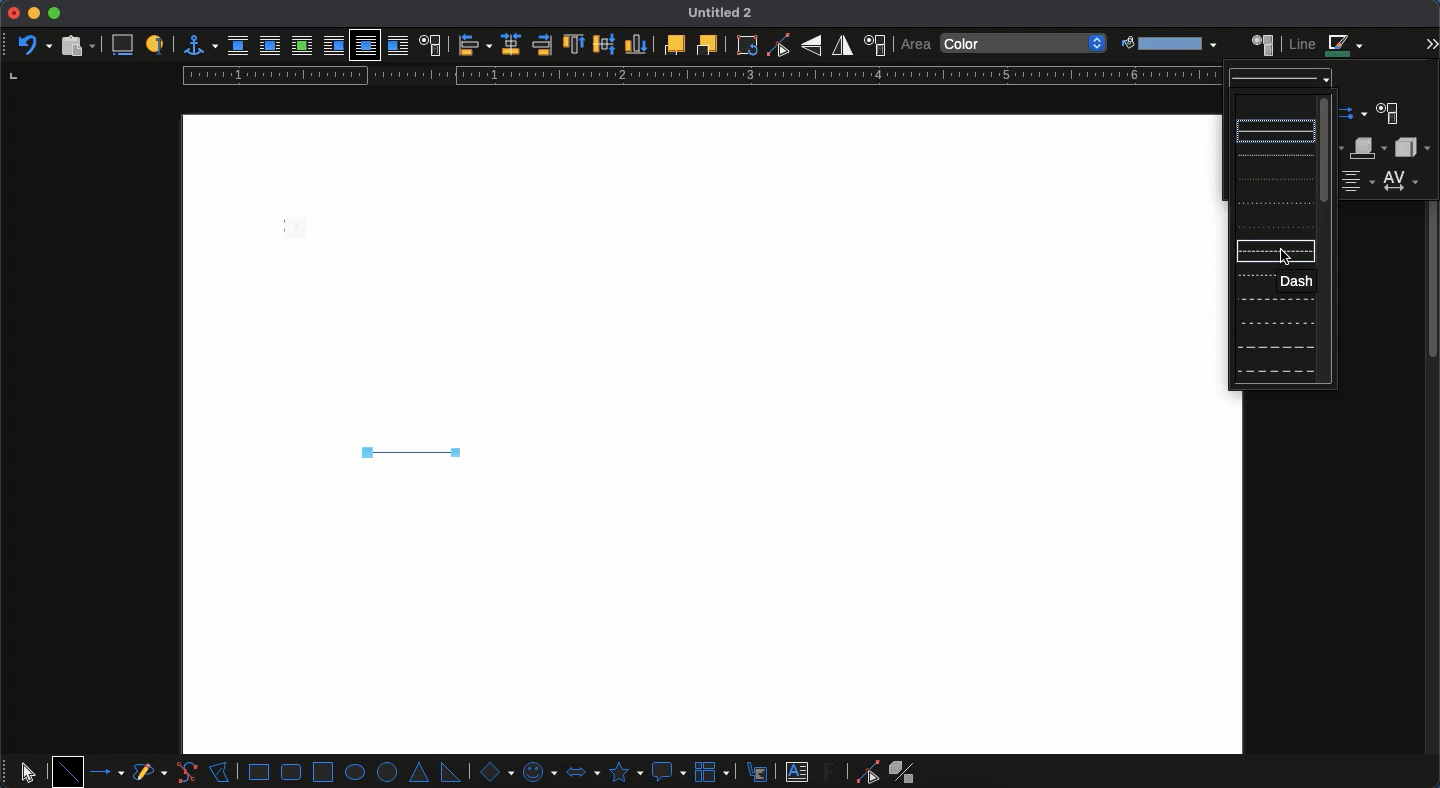 This screenshot has height=788, width=1440. What do you see at coordinates (68, 771) in the screenshot?
I see `line` at bounding box center [68, 771].